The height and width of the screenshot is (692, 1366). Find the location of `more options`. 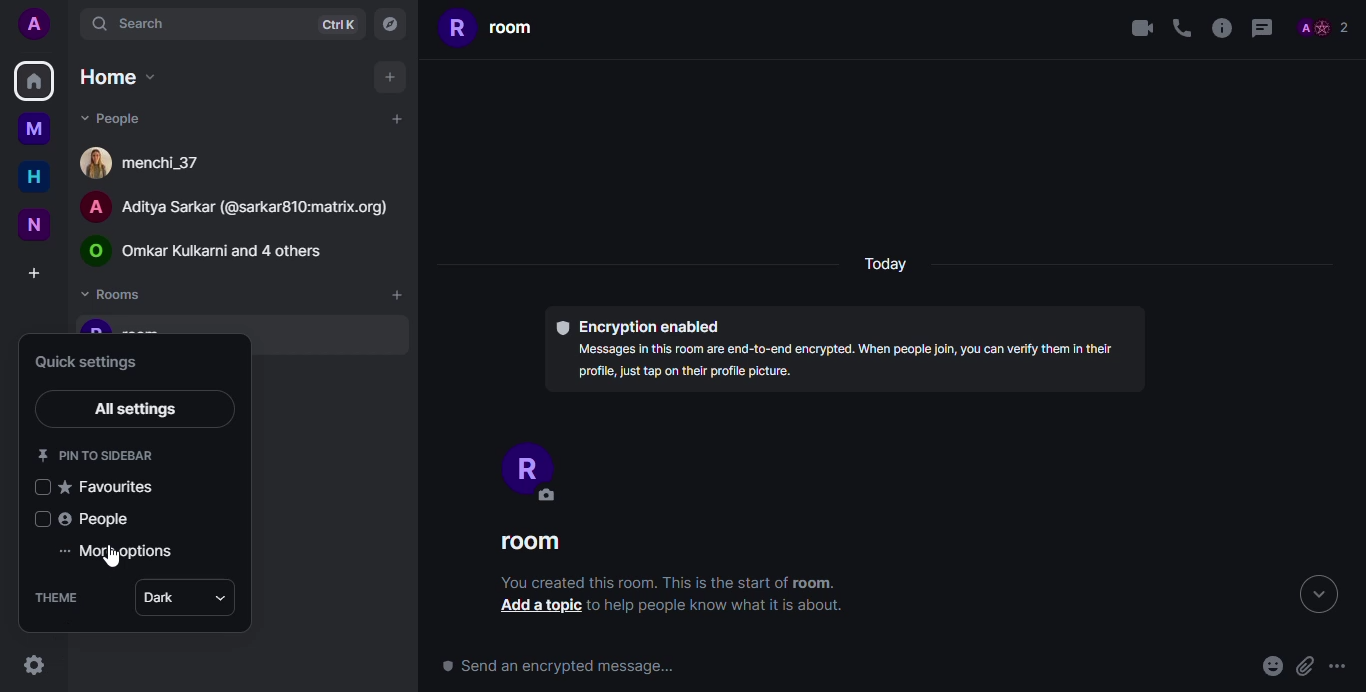

more options is located at coordinates (119, 552).